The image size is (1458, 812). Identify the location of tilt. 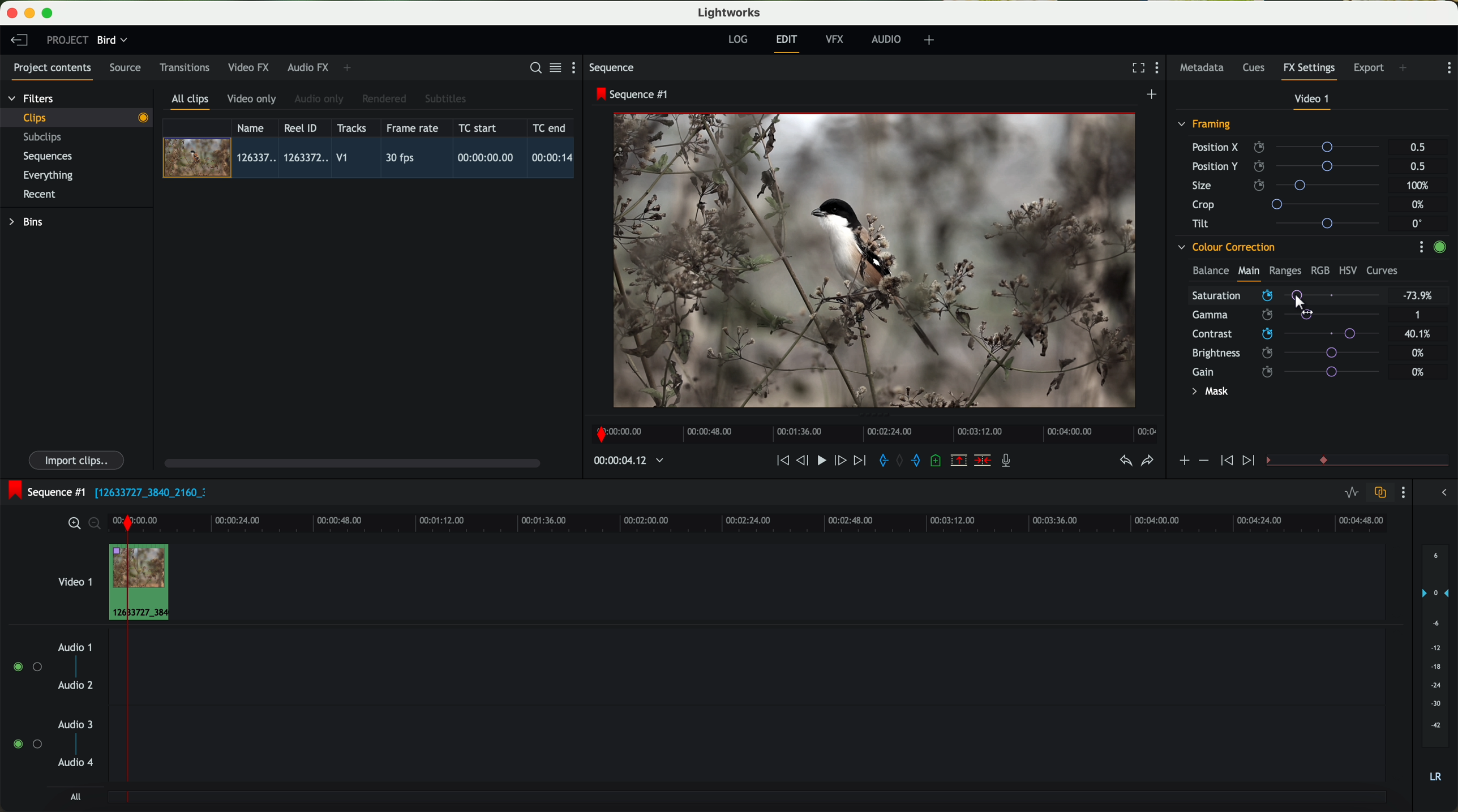
(1291, 223).